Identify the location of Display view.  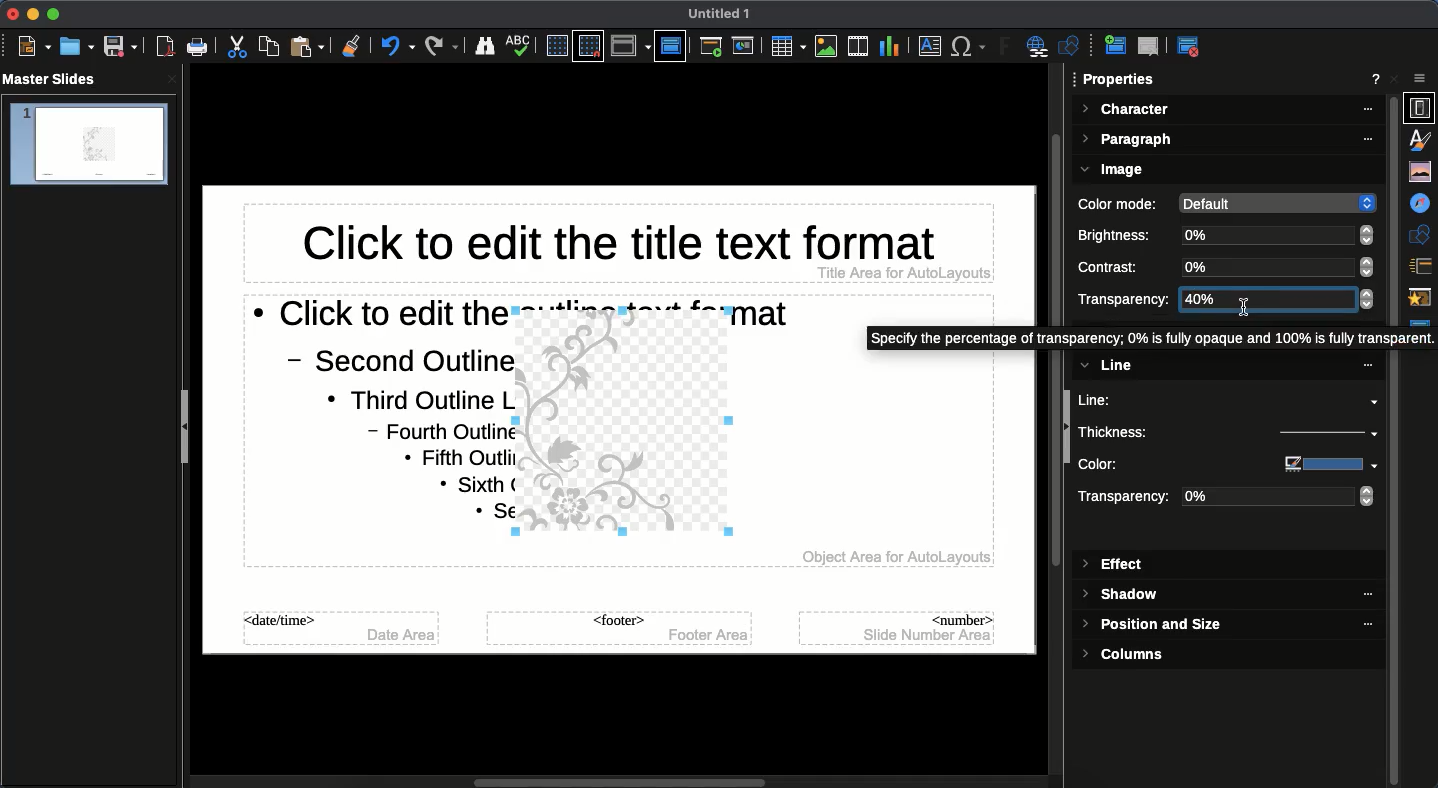
(630, 46).